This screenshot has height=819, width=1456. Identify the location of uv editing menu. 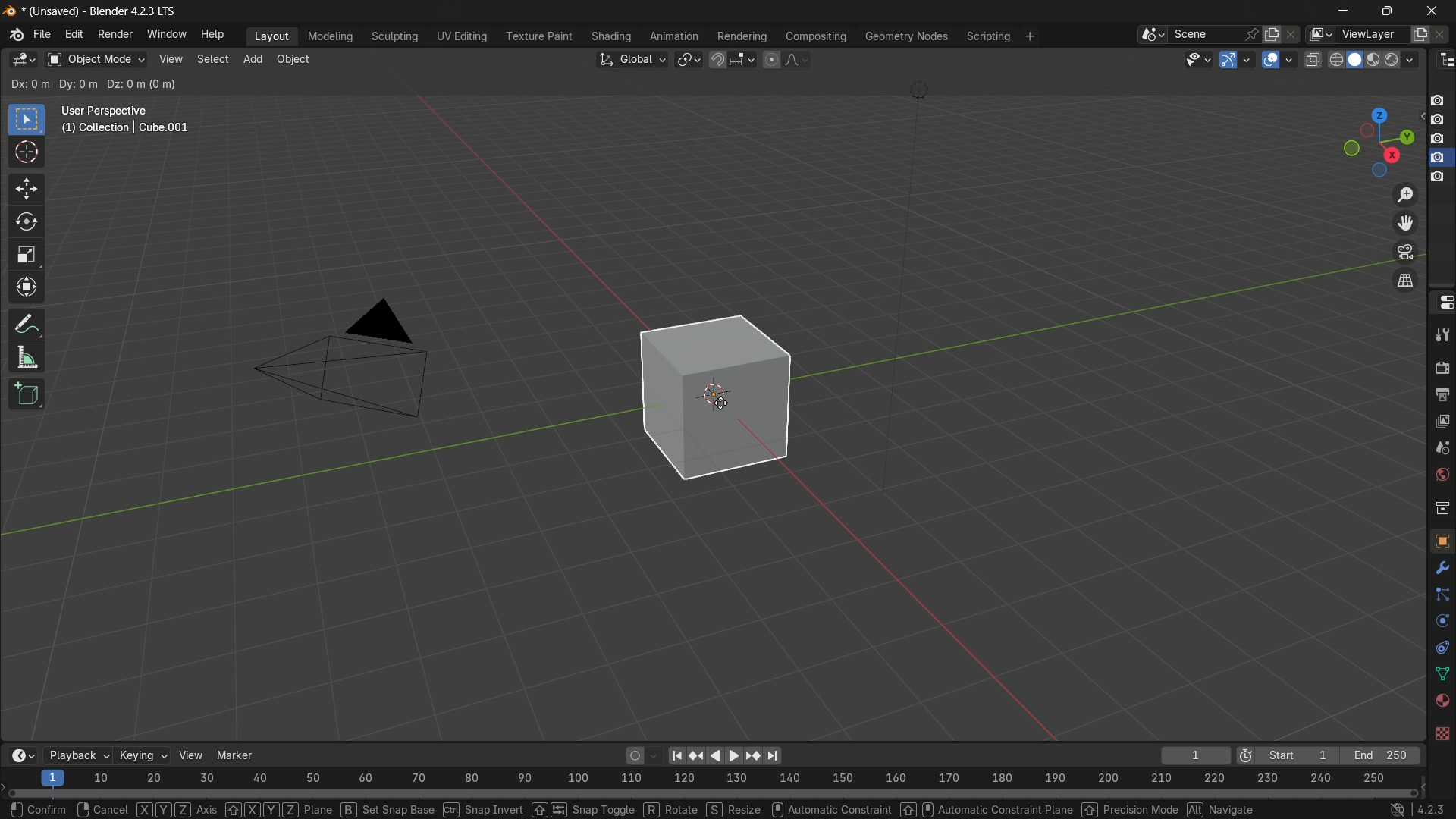
(458, 36).